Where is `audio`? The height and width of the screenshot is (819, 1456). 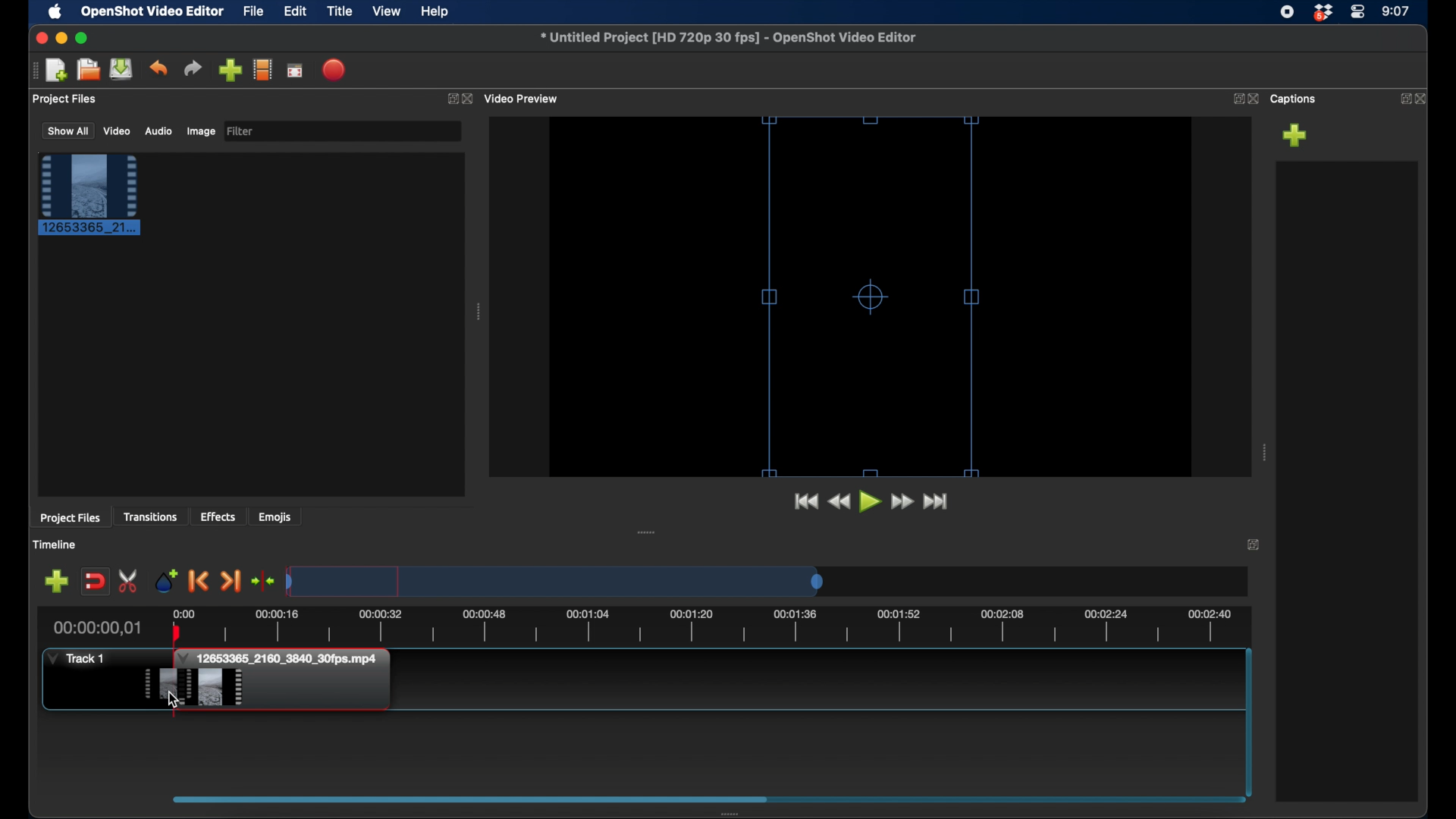
audio is located at coordinates (158, 131).